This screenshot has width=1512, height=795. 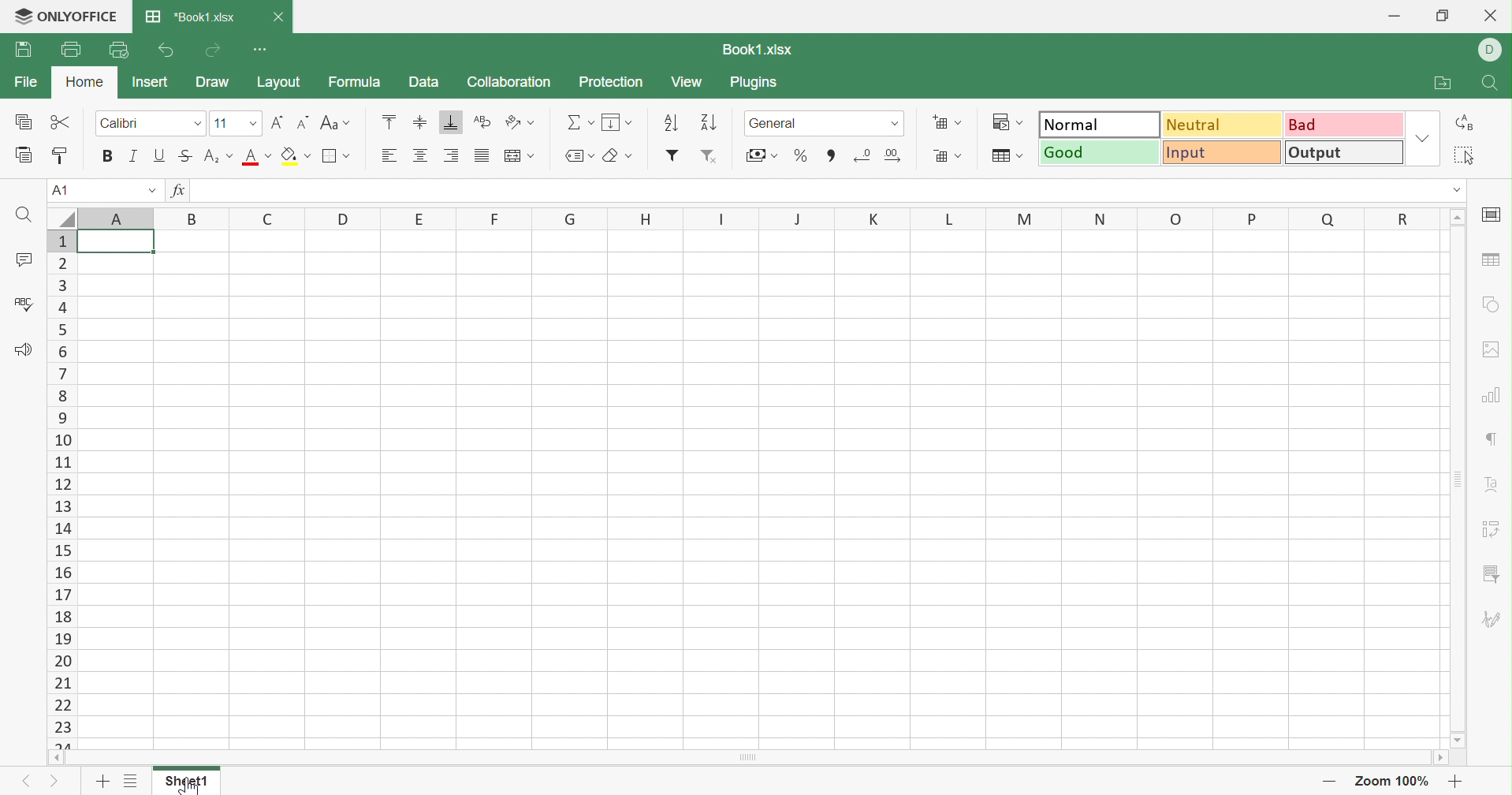 I want to click on Erase styles, so click(x=626, y=156).